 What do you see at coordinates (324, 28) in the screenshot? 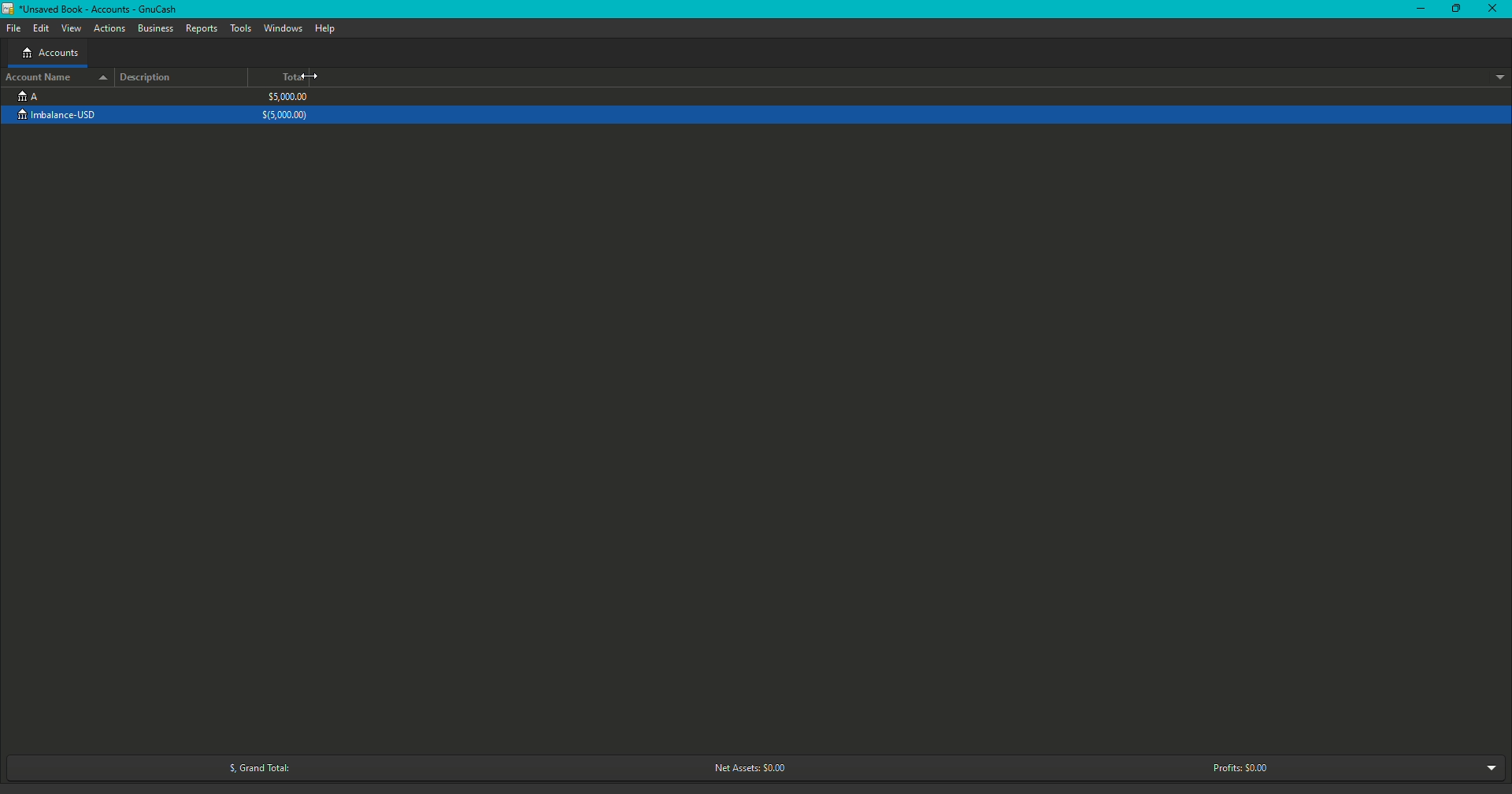
I see `Help` at bounding box center [324, 28].